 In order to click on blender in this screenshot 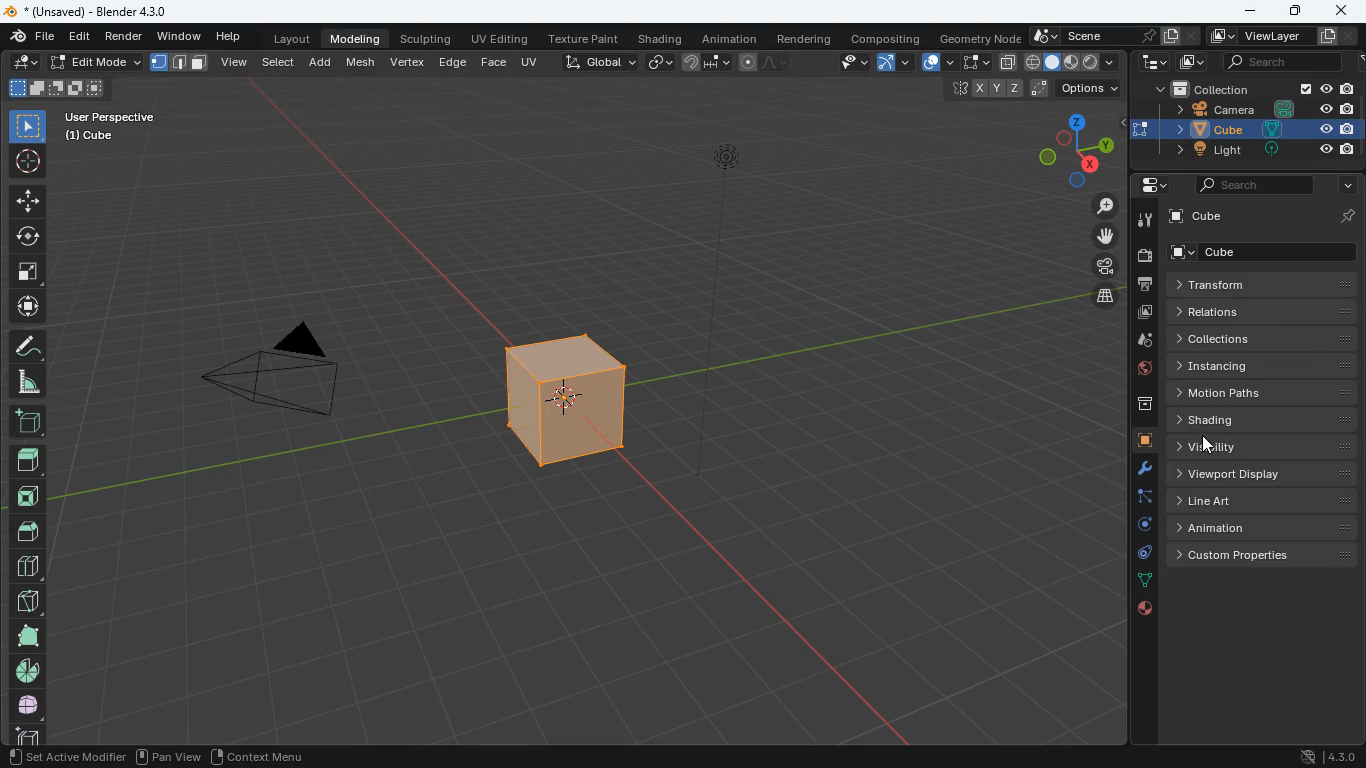, I will do `click(93, 12)`.